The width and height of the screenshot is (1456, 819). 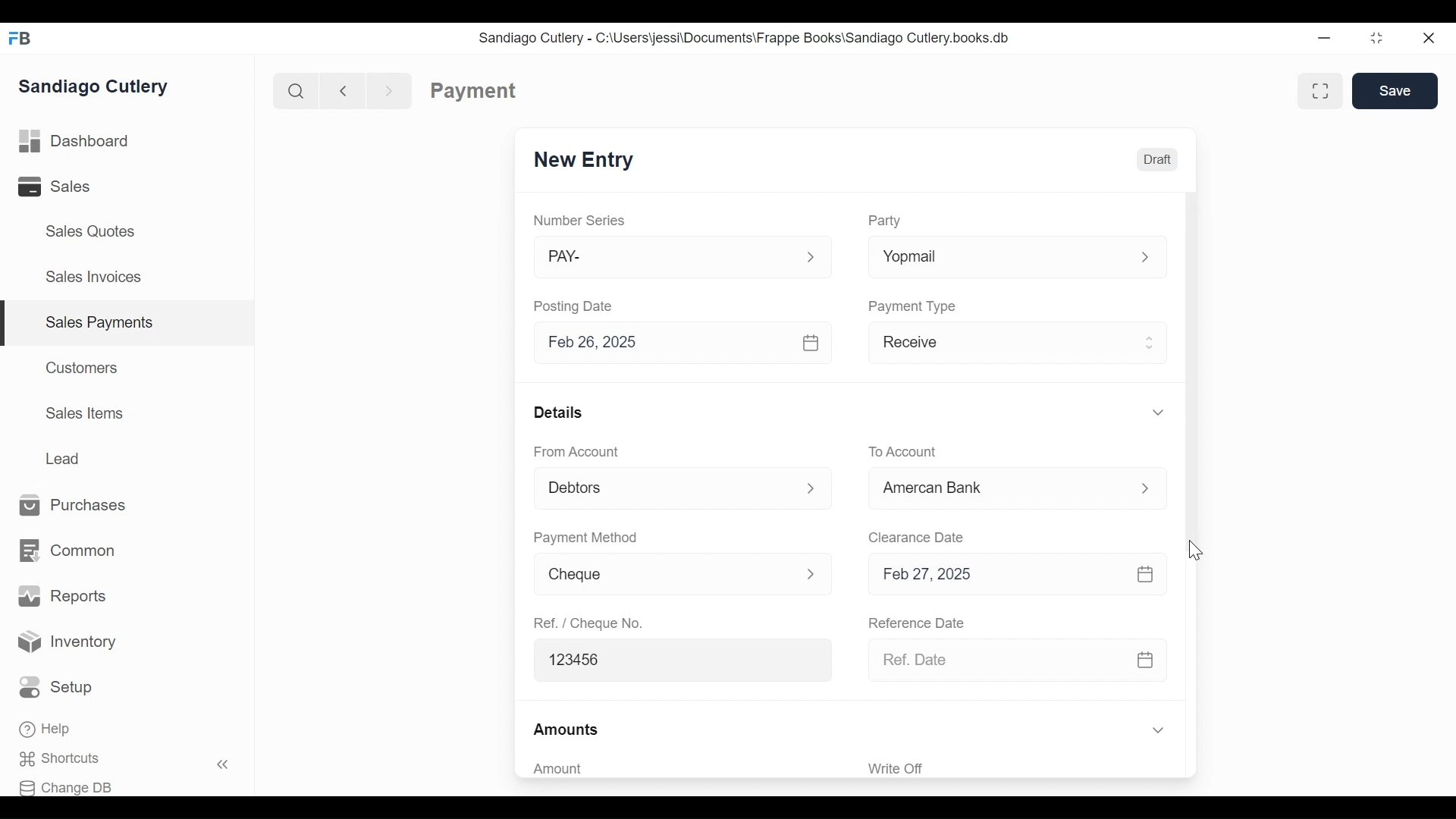 What do you see at coordinates (1194, 550) in the screenshot?
I see `cursor` at bounding box center [1194, 550].